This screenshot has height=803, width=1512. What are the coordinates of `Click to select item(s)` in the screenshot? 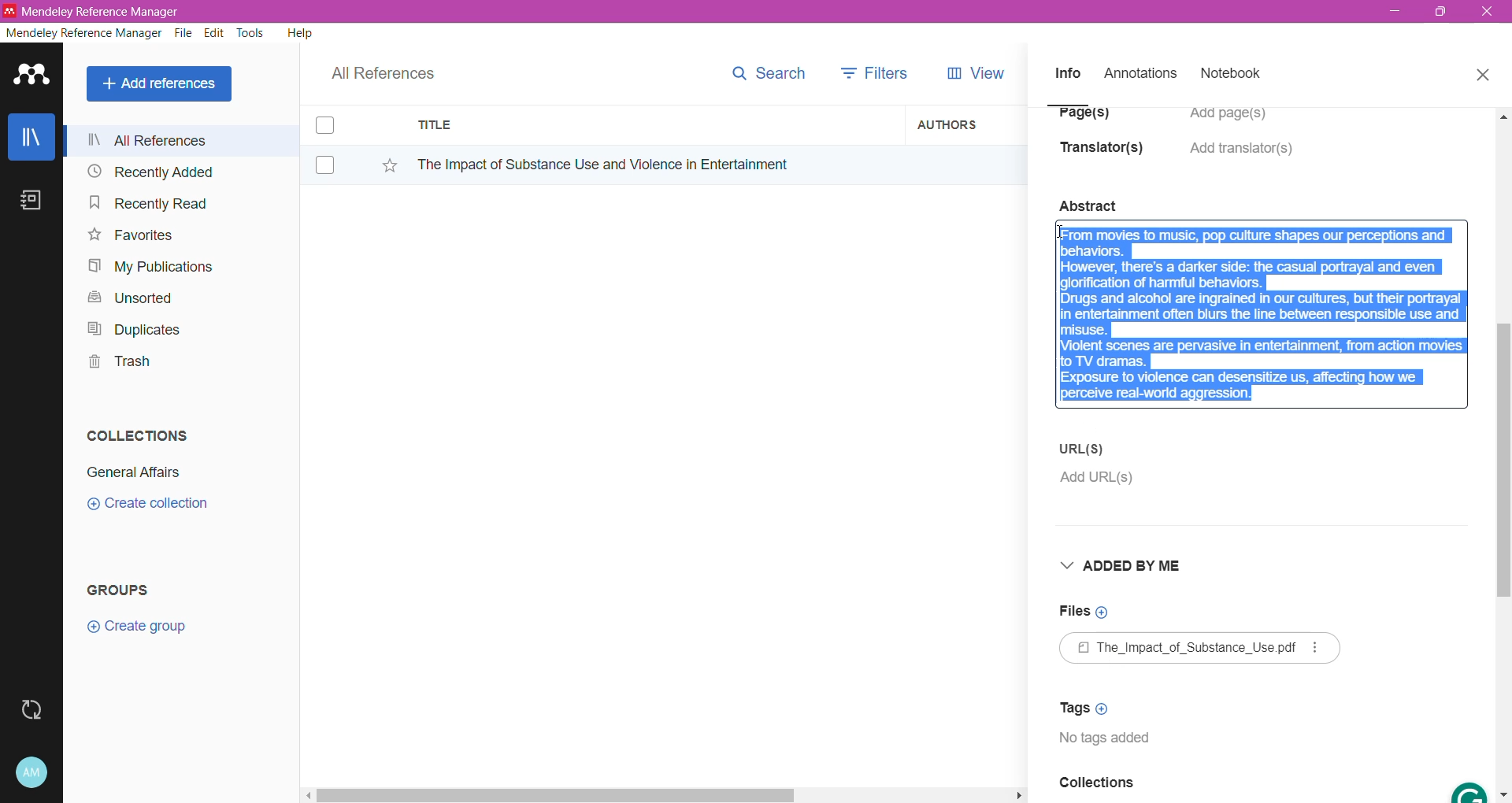 It's located at (333, 144).